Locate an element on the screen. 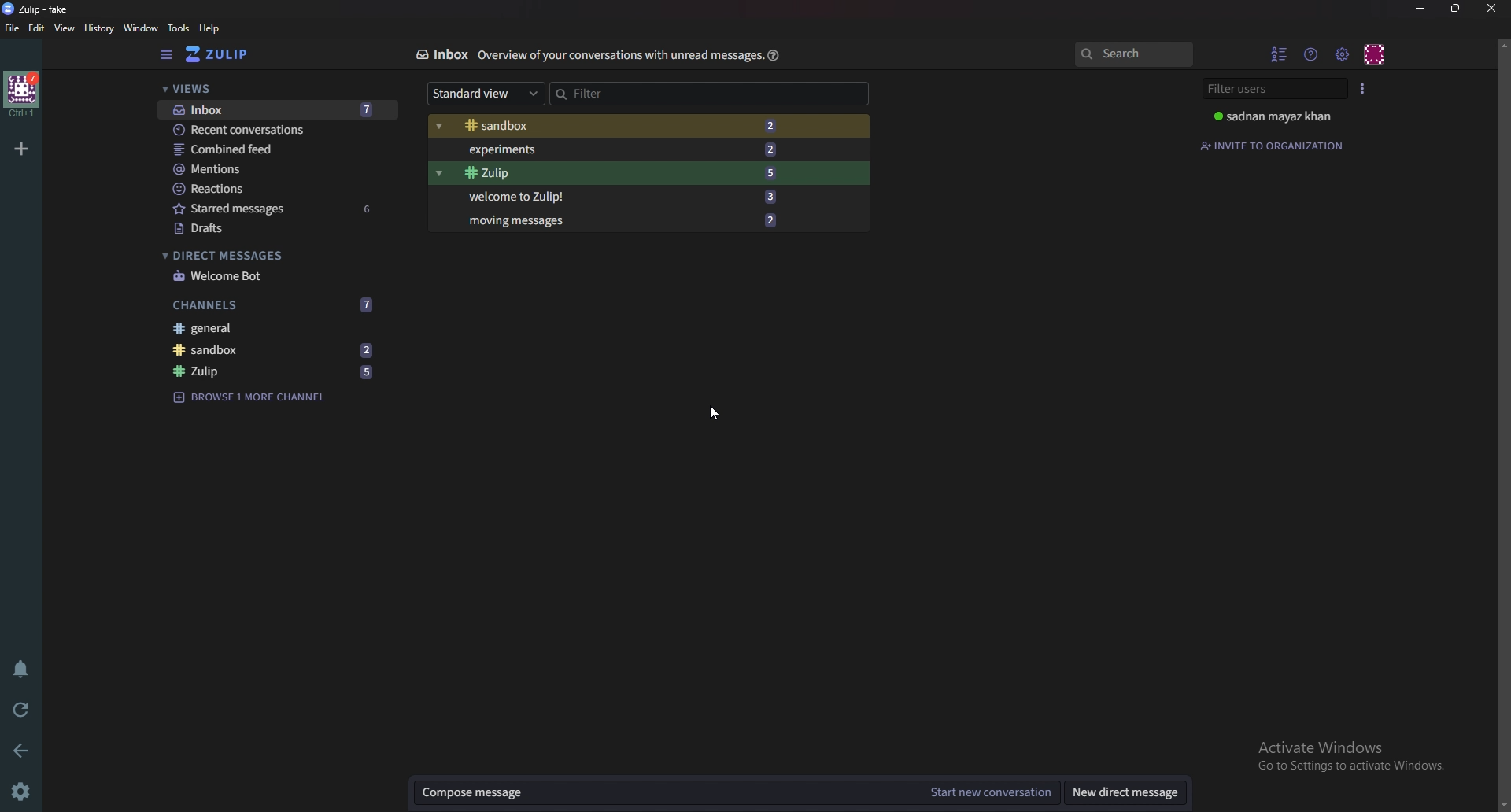 Image resolution: width=1511 pixels, height=812 pixels. Moving messages is located at coordinates (620, 220).